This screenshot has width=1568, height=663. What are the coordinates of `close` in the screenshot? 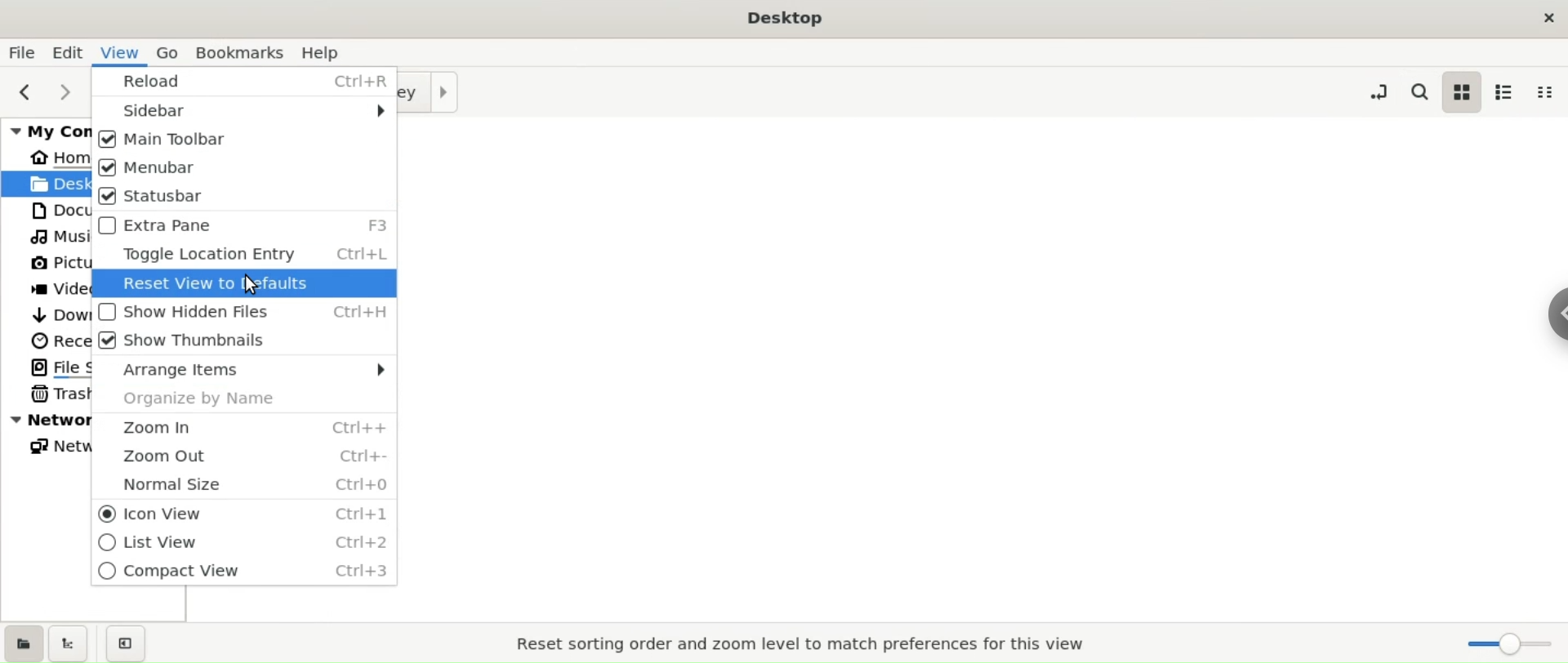 It's located at (1547, 16).